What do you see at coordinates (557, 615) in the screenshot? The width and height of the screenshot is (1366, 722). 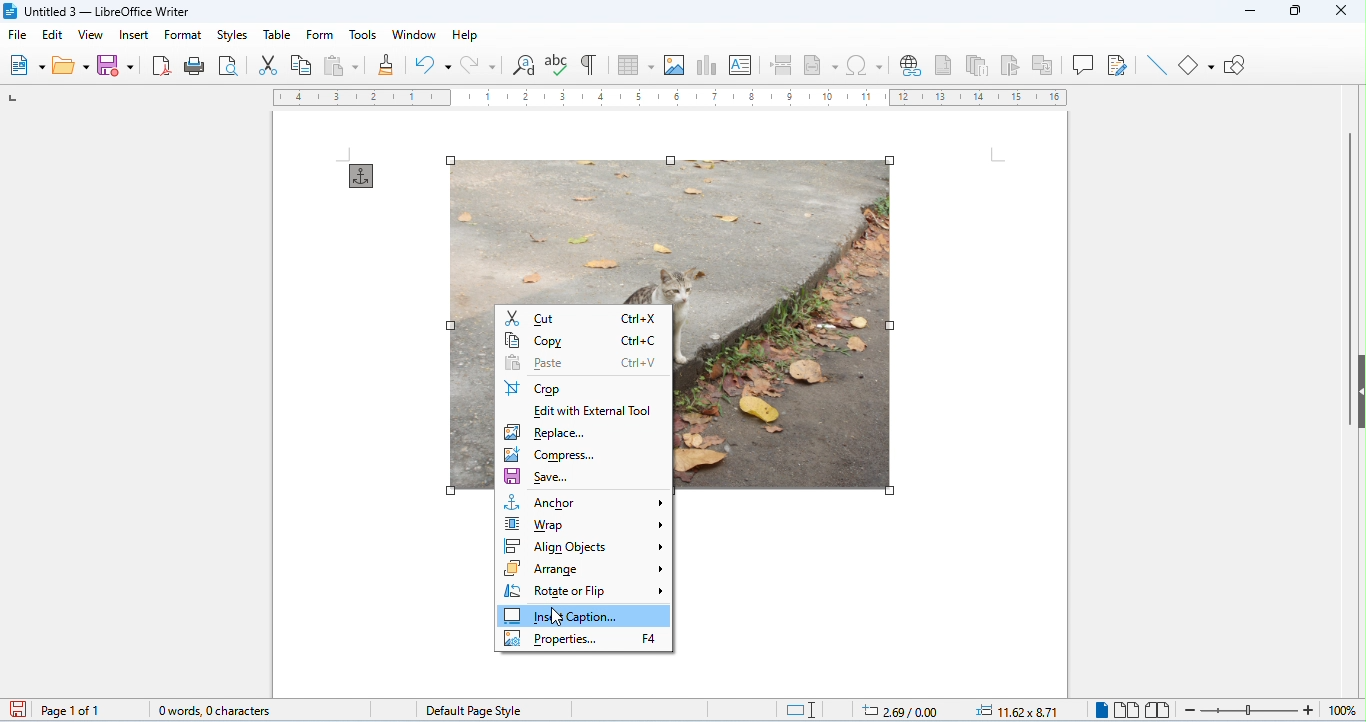 I see `cursor movement` at bounding box center [557, 615].